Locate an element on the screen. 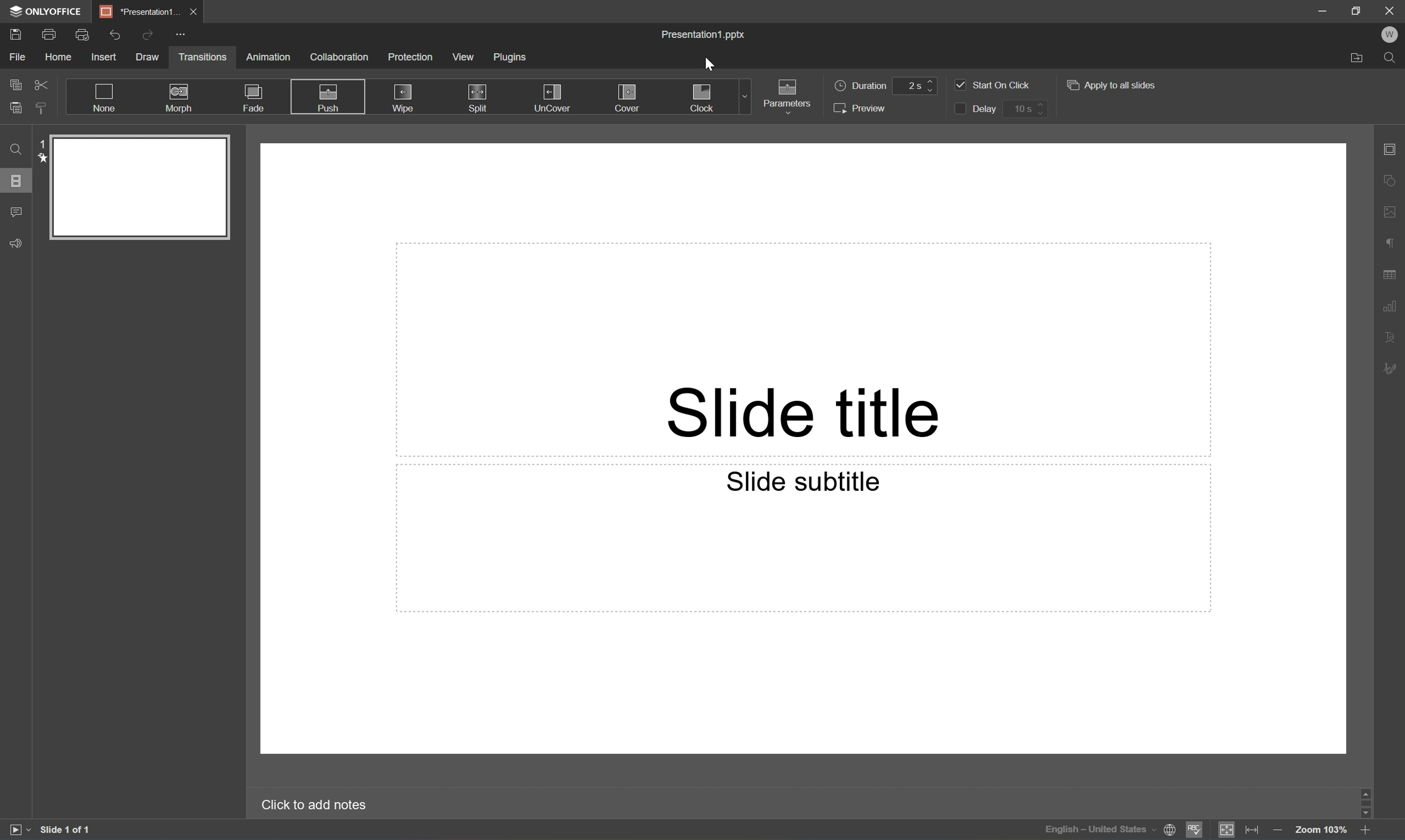 Image resolution: width=1405 pixels, height=840 pixels. Quick Print is located at coordinates (84, 33).